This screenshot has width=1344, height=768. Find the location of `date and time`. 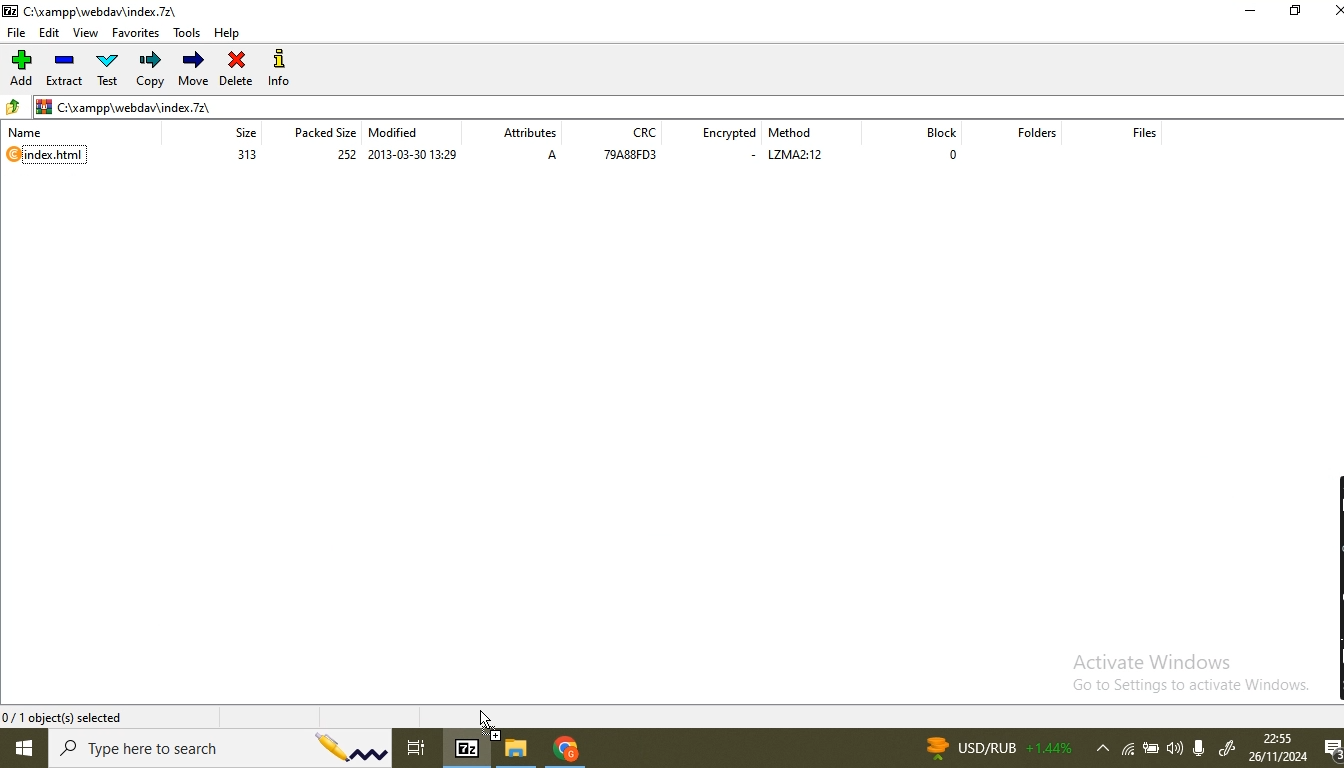

date and time is located at coordinates (1277, 748).